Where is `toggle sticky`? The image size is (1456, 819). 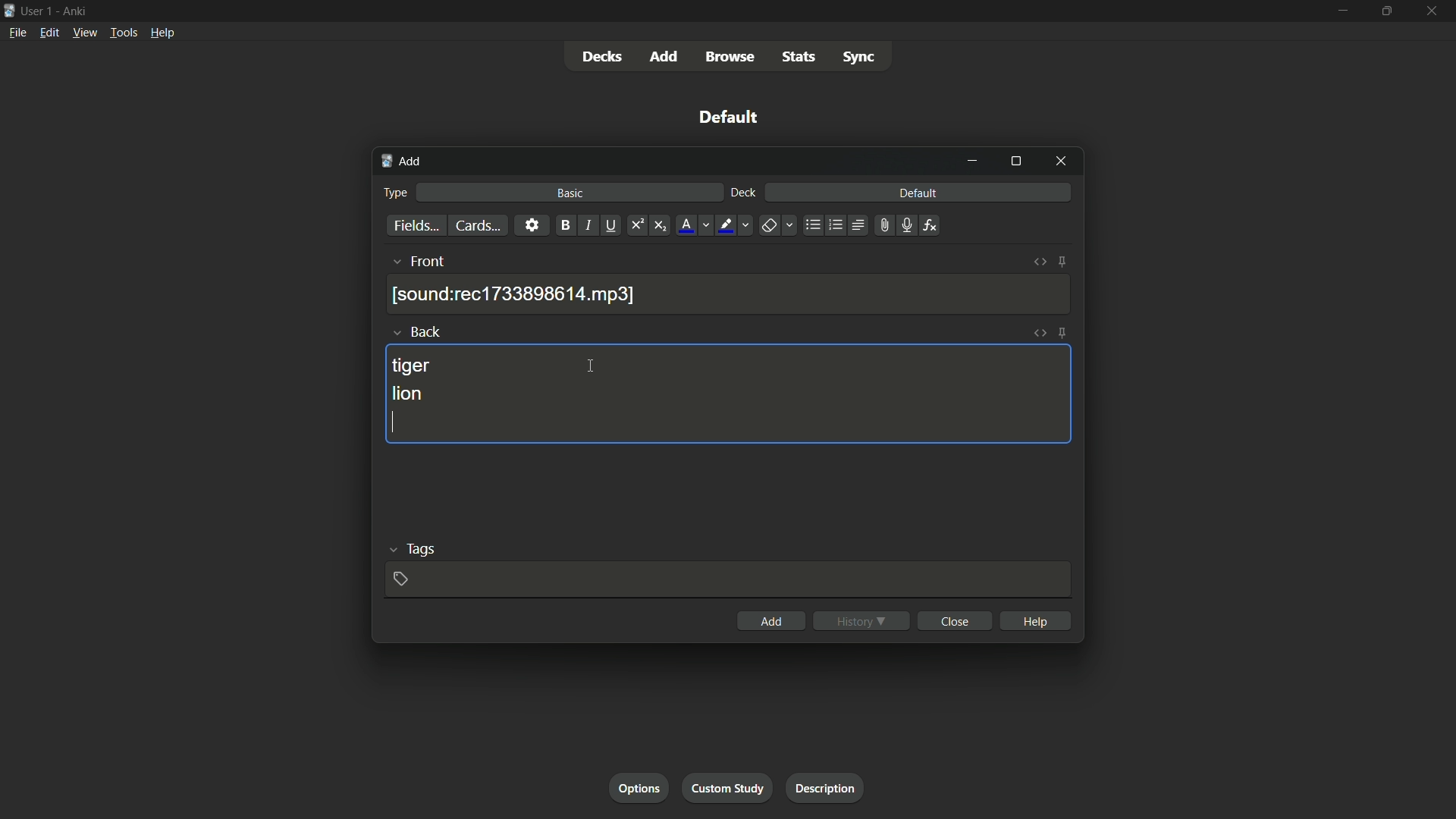
toggle sticky is located at coordinates (1062, 333).